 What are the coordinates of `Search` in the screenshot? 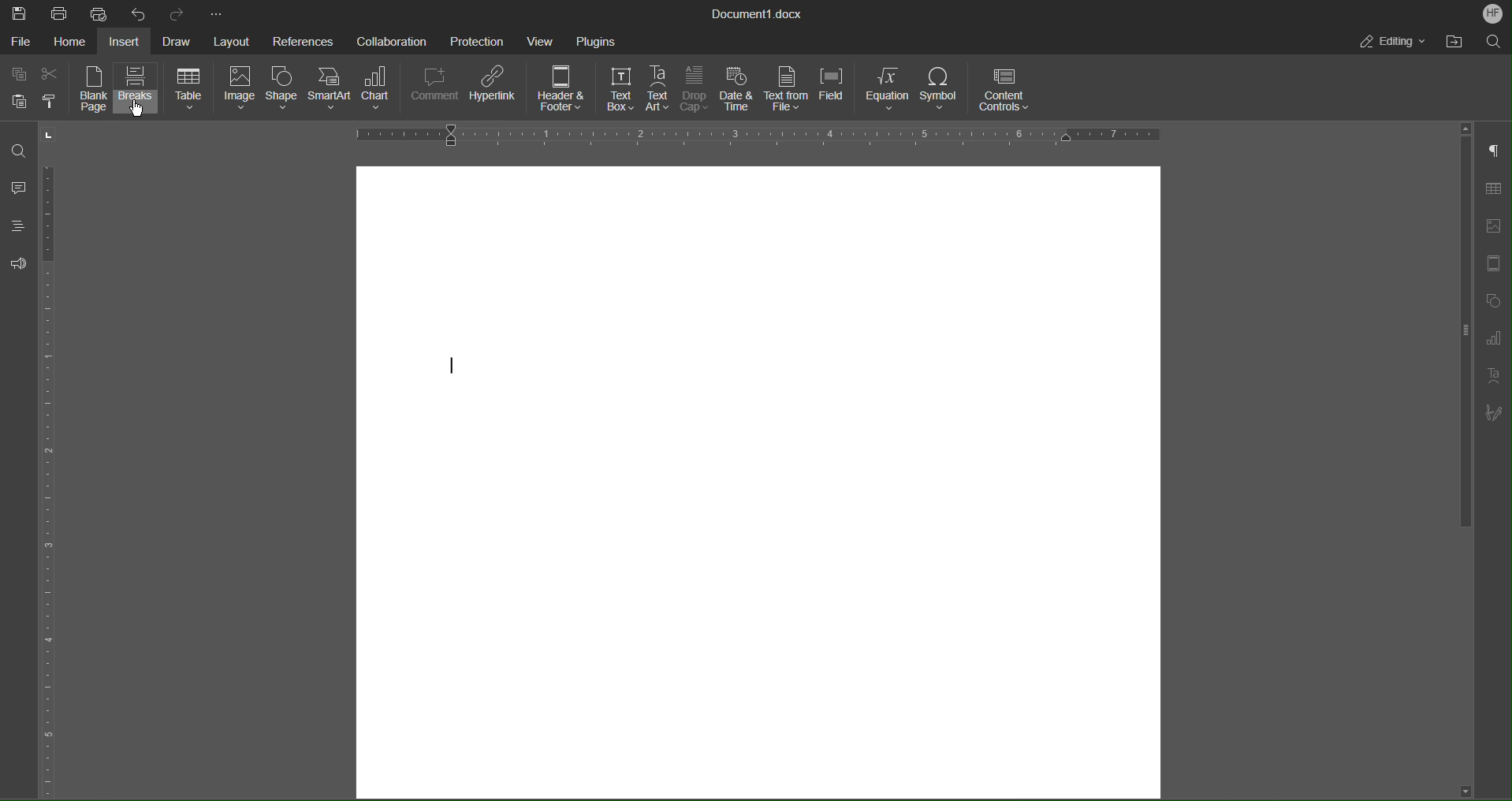 It's located at (1497, 43).